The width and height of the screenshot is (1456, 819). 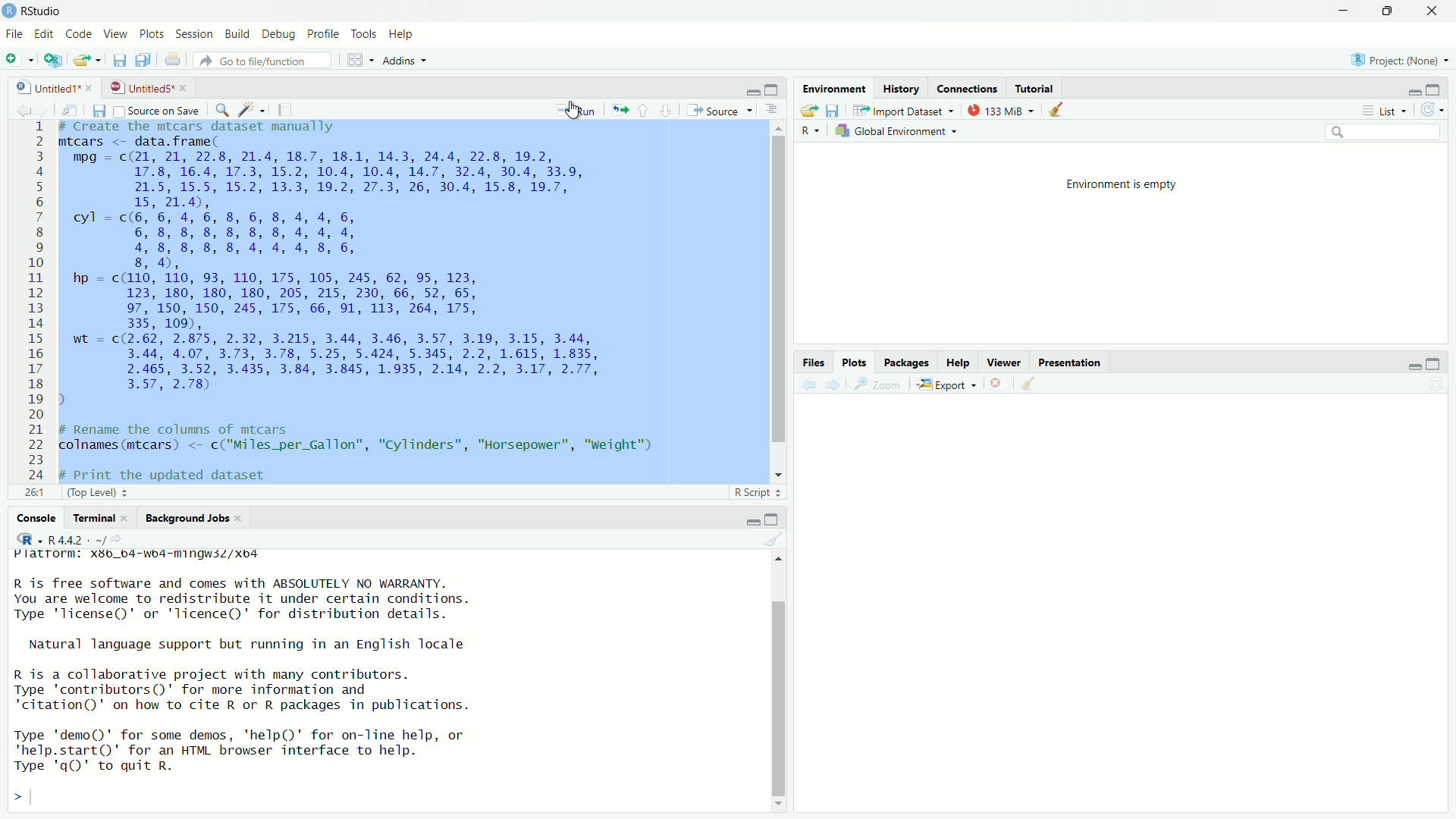 I want to click on Files, so click(x=813, y=361).